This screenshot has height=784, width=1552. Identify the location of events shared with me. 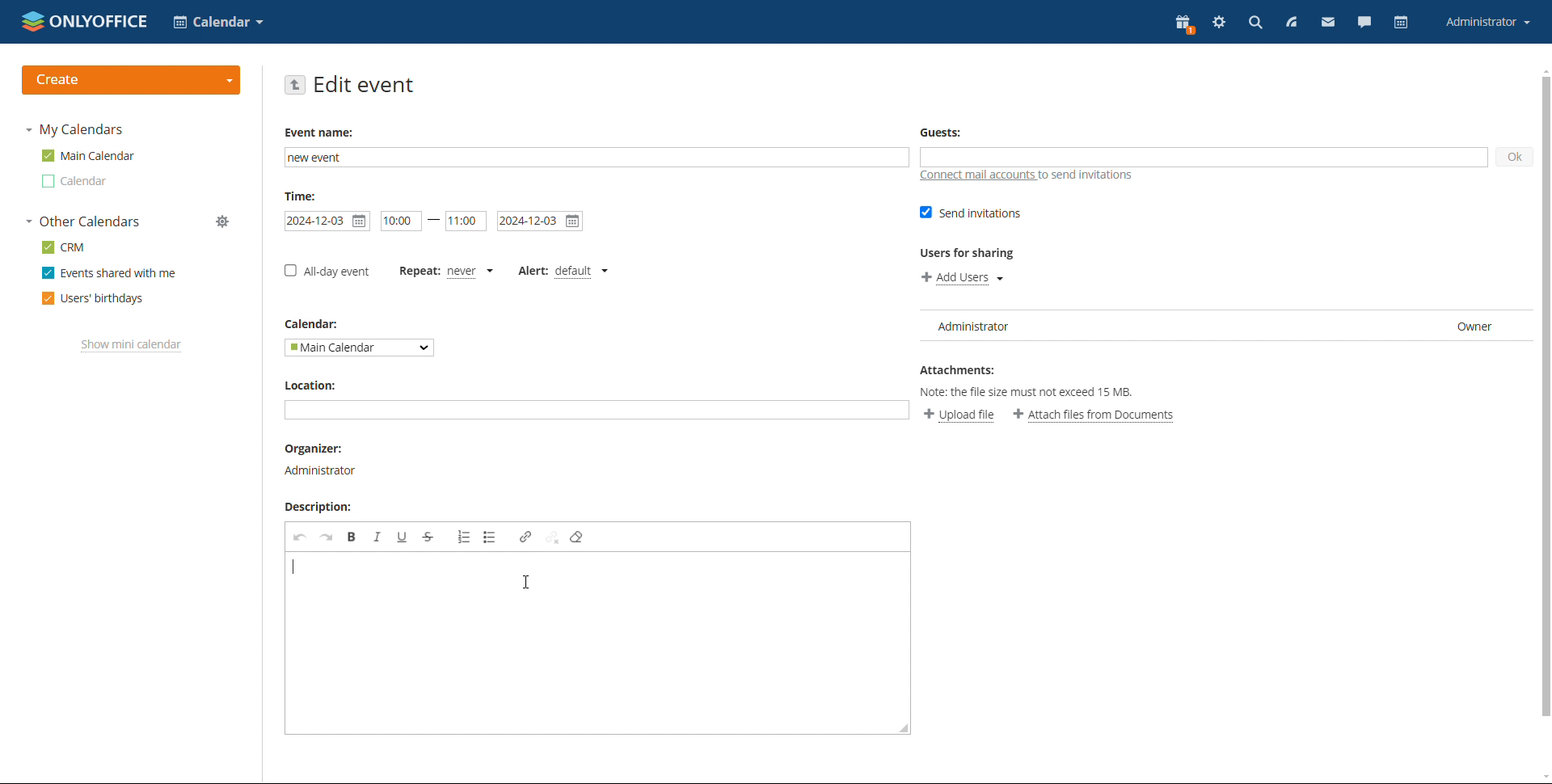
(110, 272).